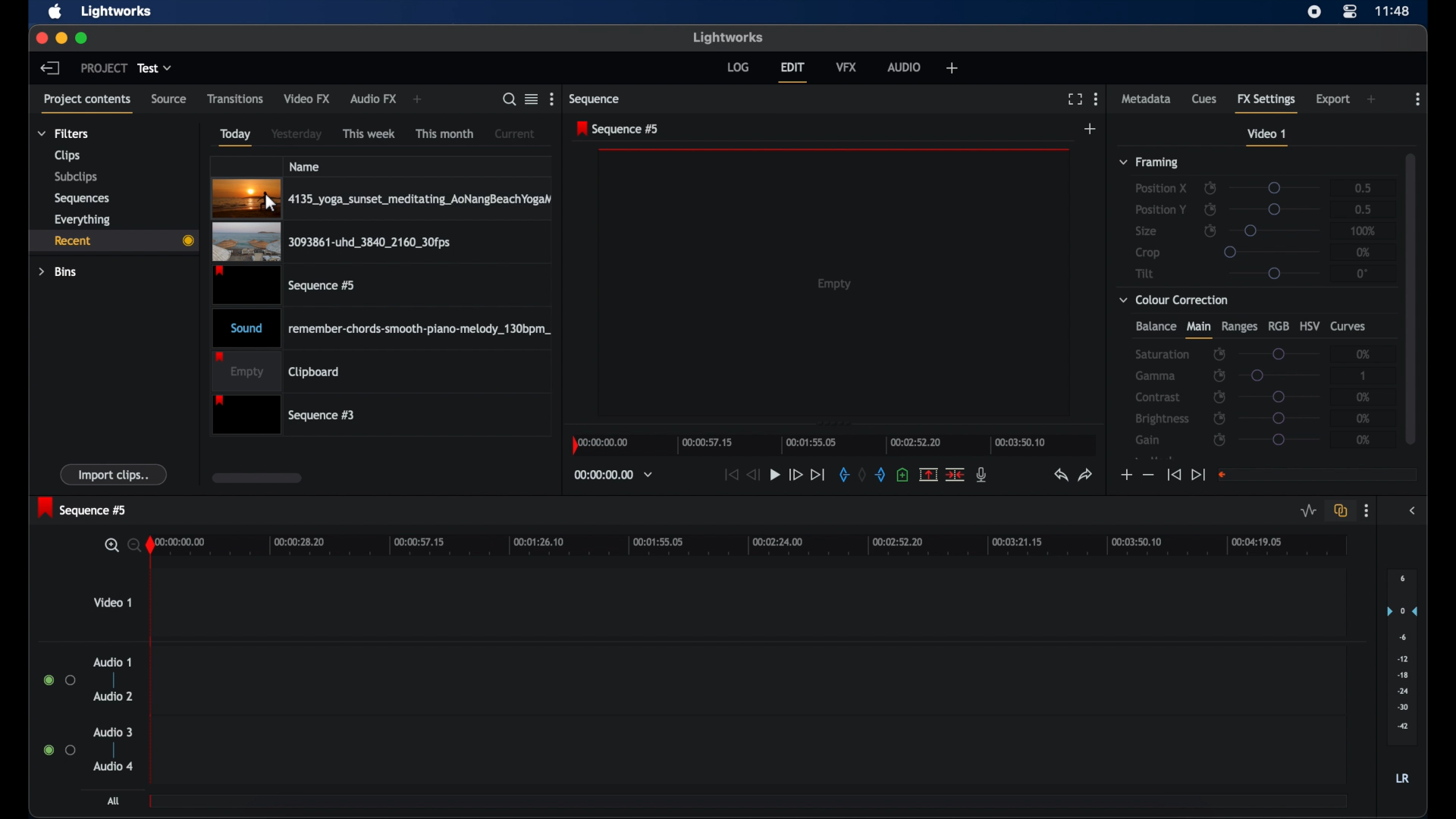 Image resolution: width=1456 pixels, height=819 pixels. What do you see at coordinates (156, 68) in the screenshot?
I see `test` at bounding box center [156, 68].